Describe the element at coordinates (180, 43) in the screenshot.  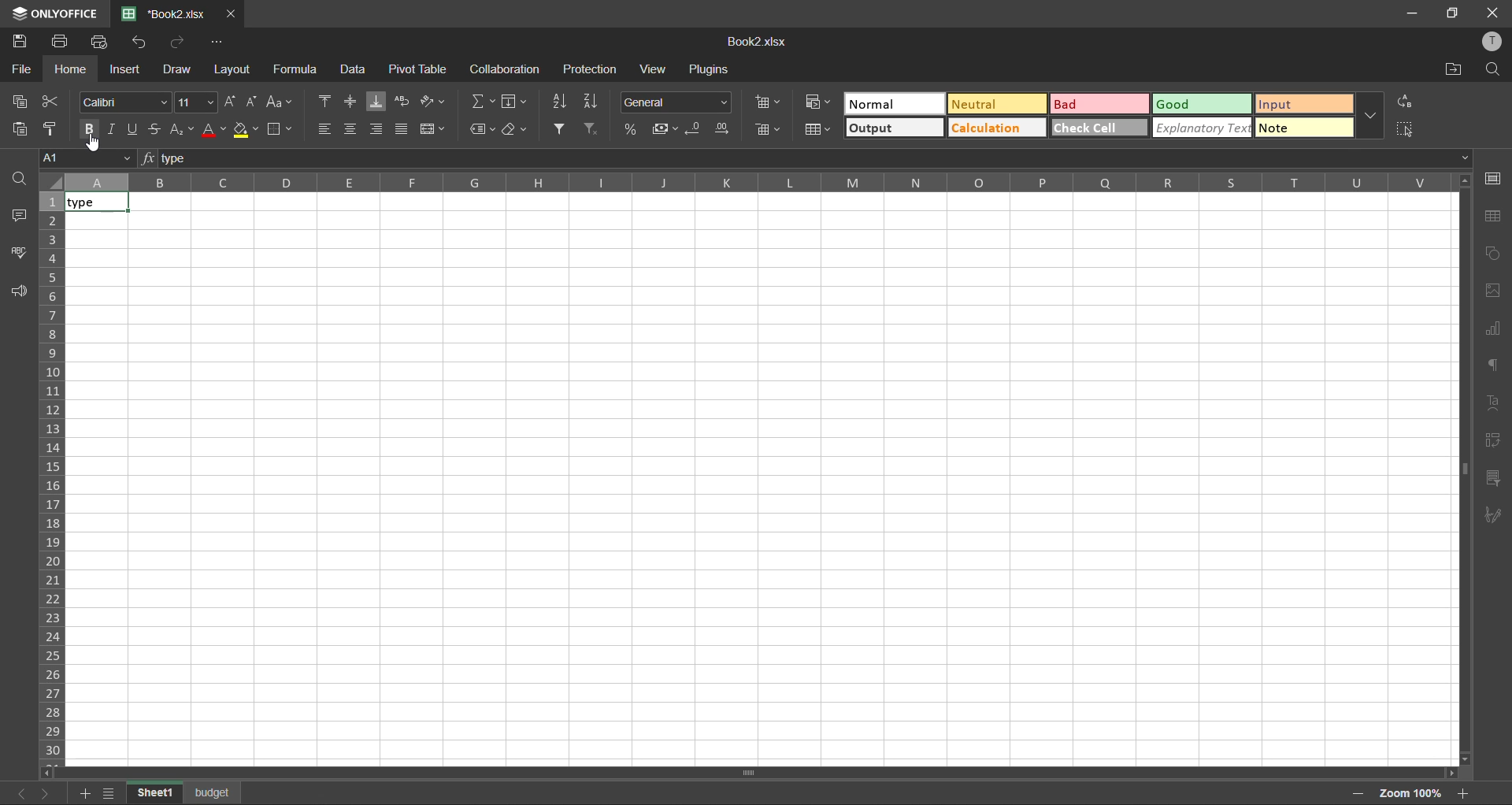
I see `redo` at that location.